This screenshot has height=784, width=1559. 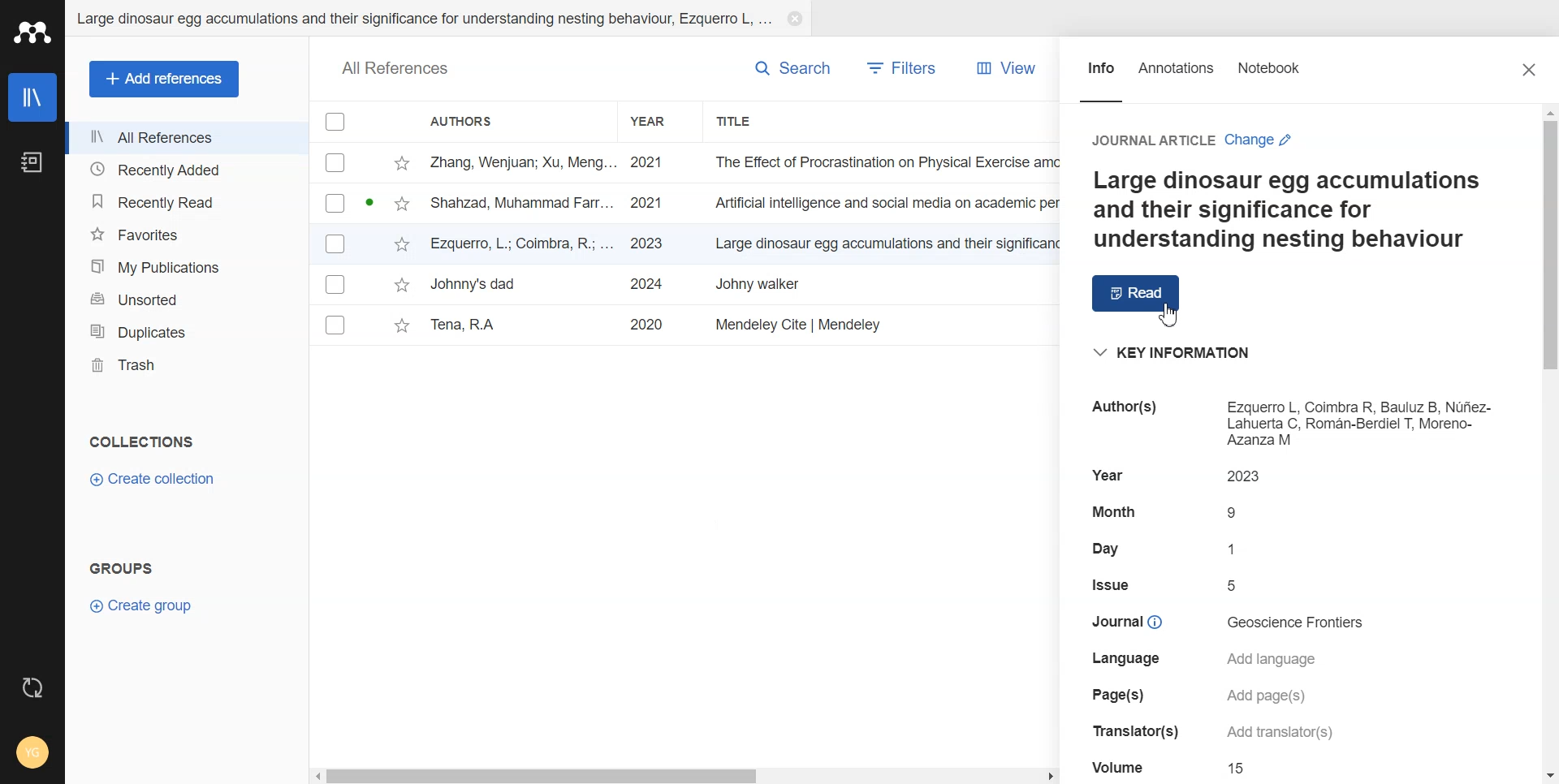 What do you see at coordinates (1269, 77) in the screenshot?
I see `Notebook` at bounding box center [1269, 77].